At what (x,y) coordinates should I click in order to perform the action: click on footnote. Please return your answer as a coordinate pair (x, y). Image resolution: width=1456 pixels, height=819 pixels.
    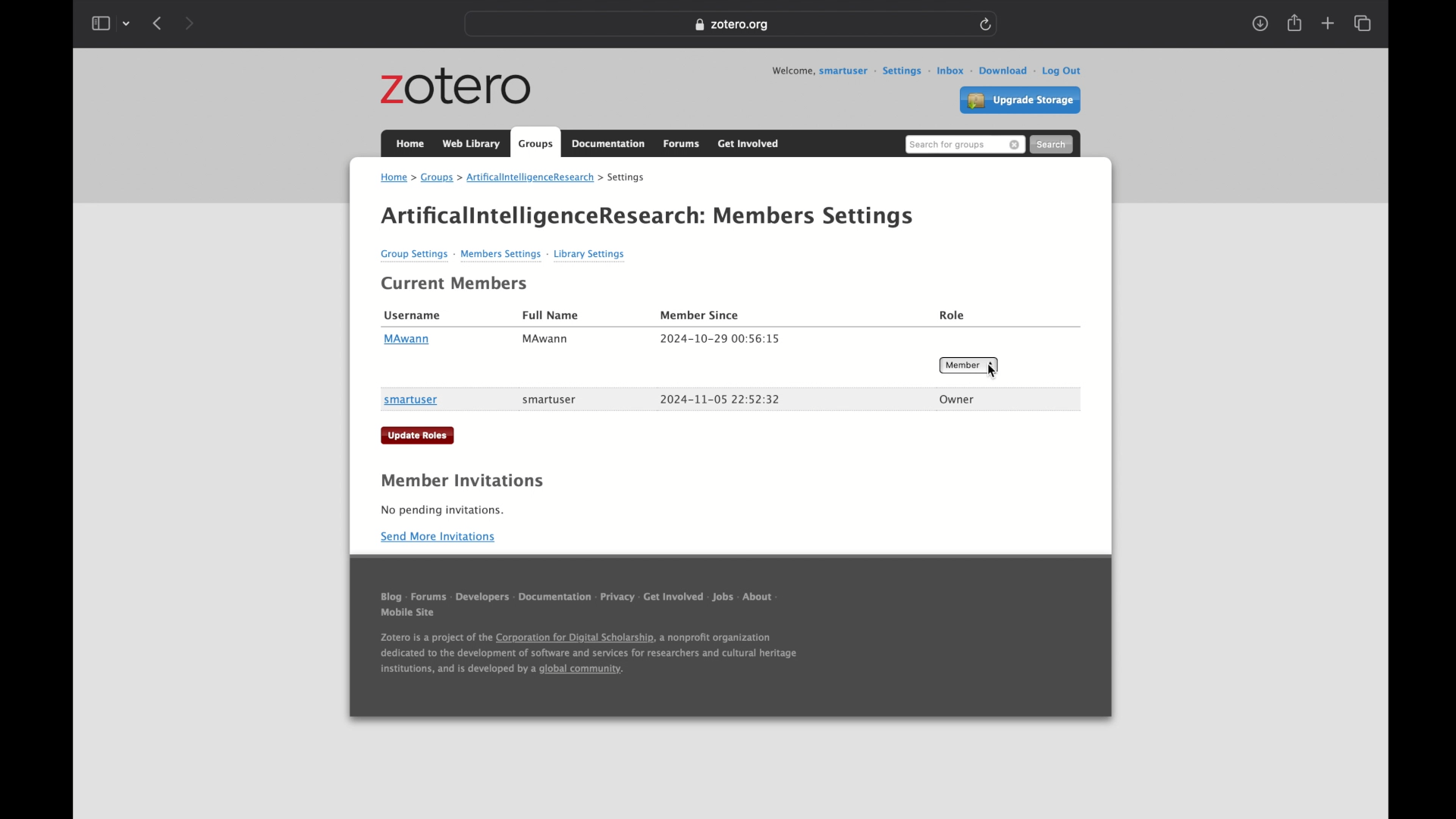
    Looking at the image, I should click on (588, 657).